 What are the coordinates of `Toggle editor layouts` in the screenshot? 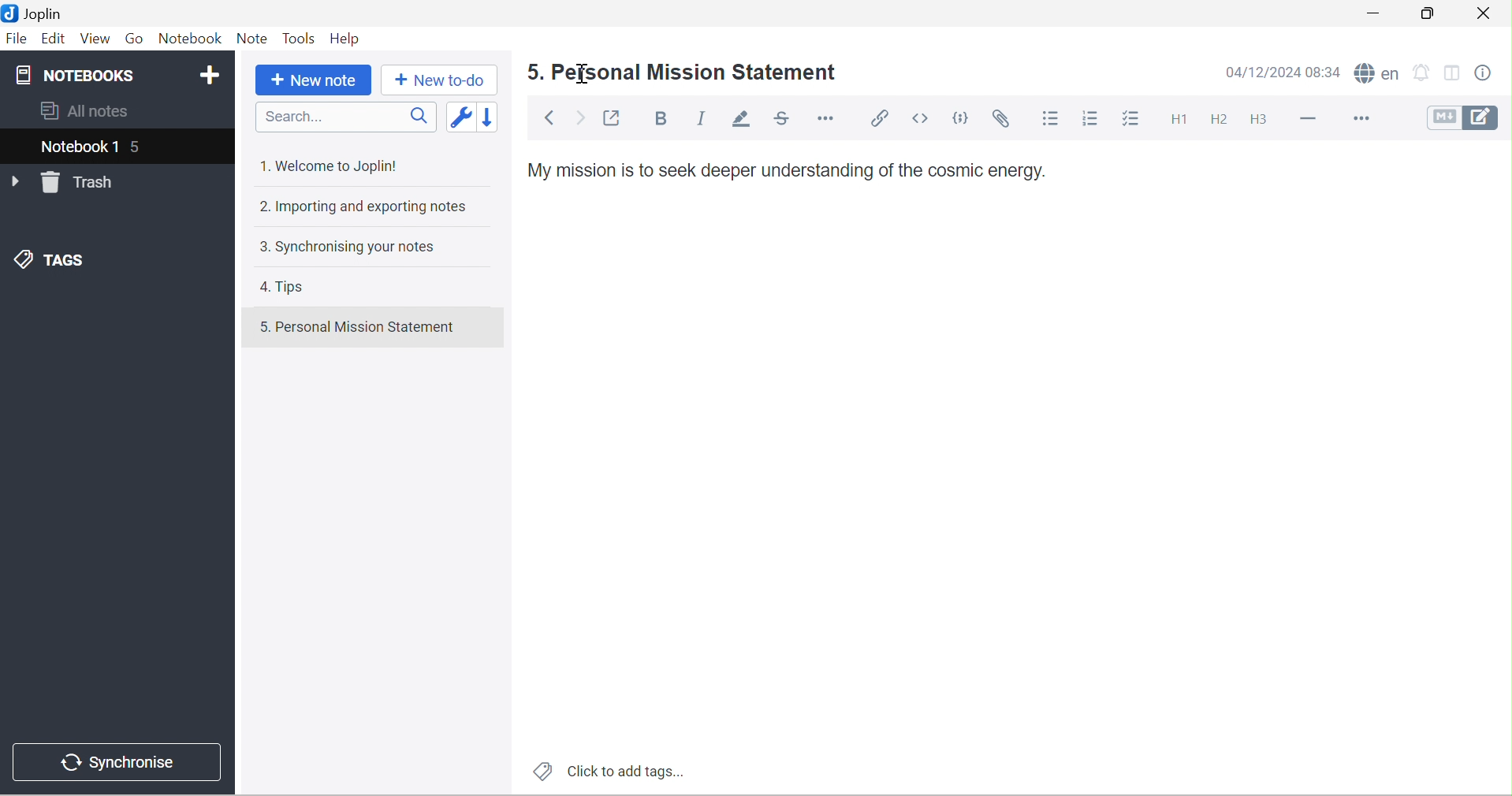 It's located at (1457, 74).